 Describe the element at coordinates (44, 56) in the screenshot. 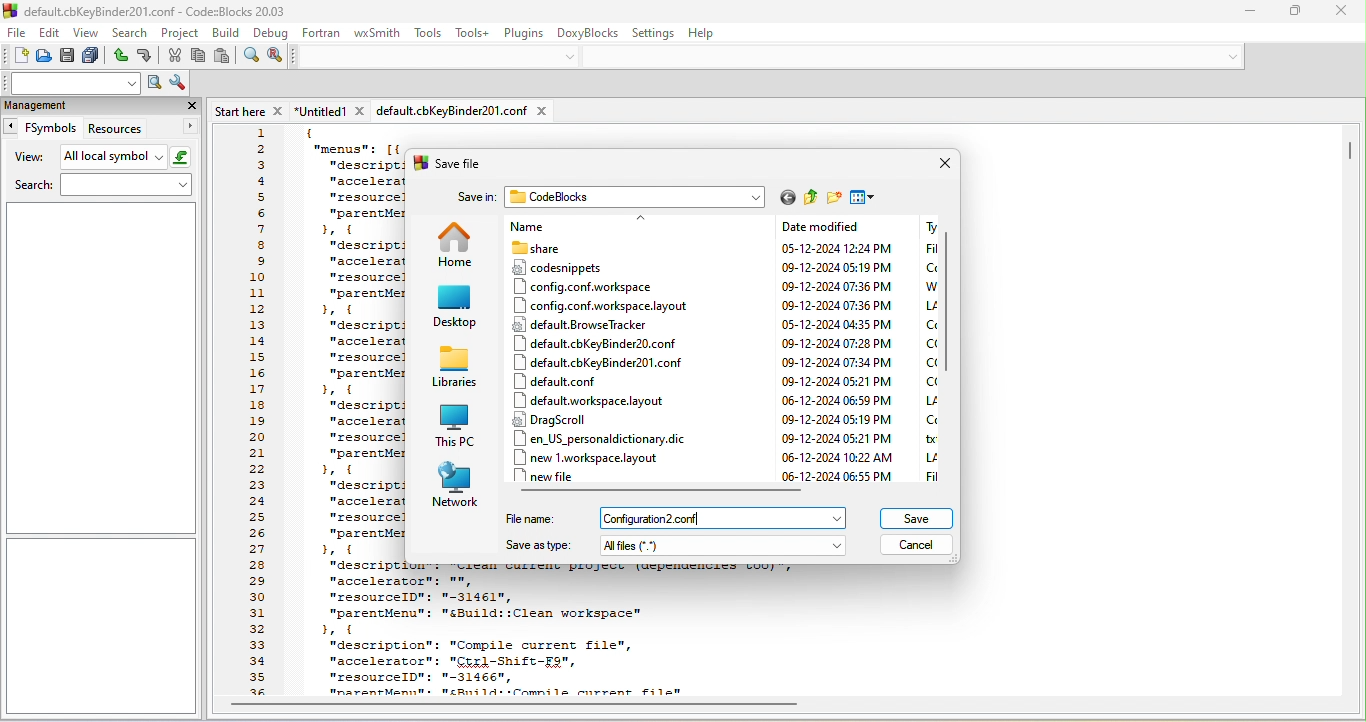

I see `open` at that location.